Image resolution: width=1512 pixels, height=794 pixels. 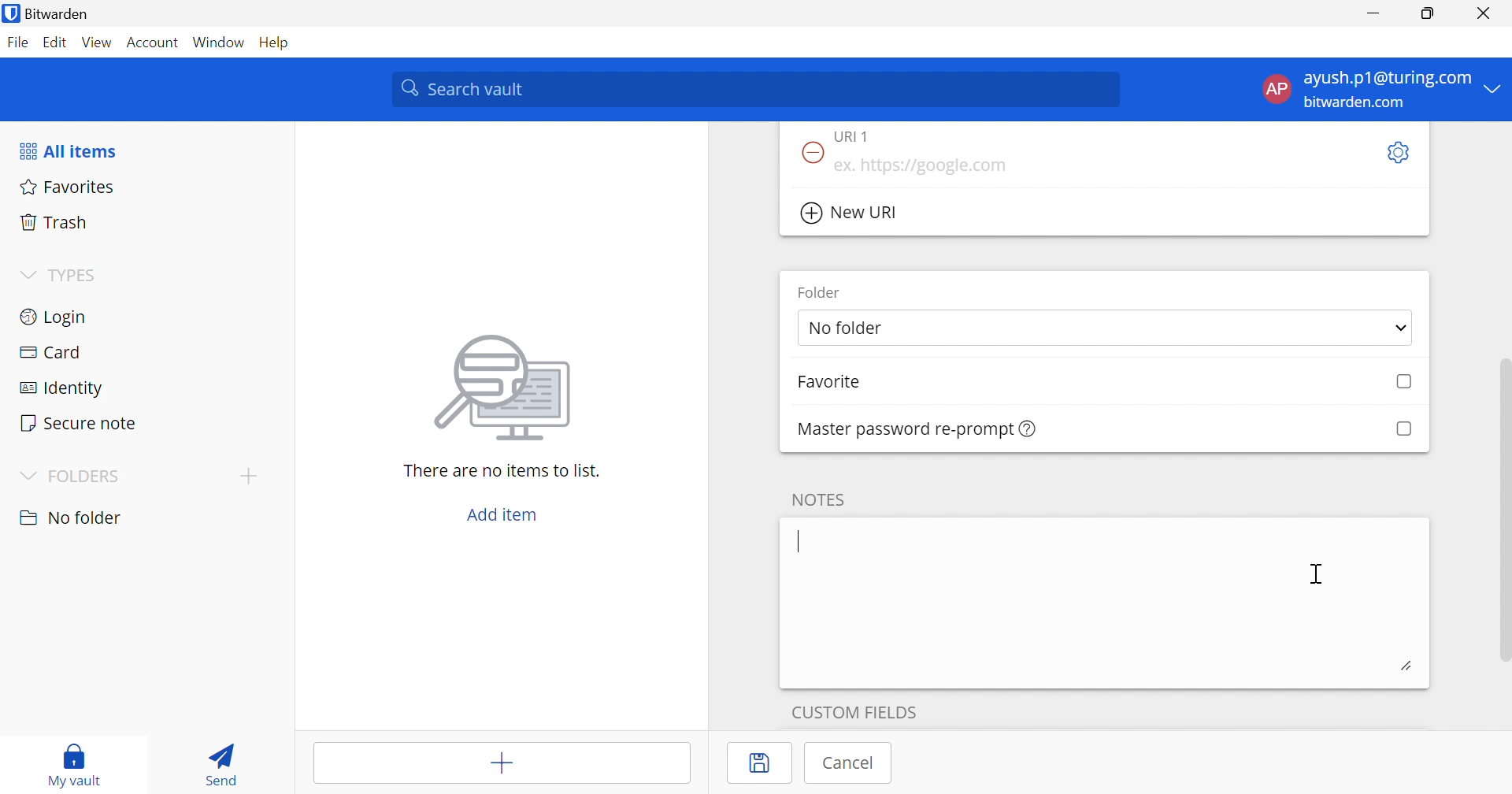 What do you see at coordinates (1373, 14) in the screenshot?
I see `Minimize` at bounding box center [1373, 14].